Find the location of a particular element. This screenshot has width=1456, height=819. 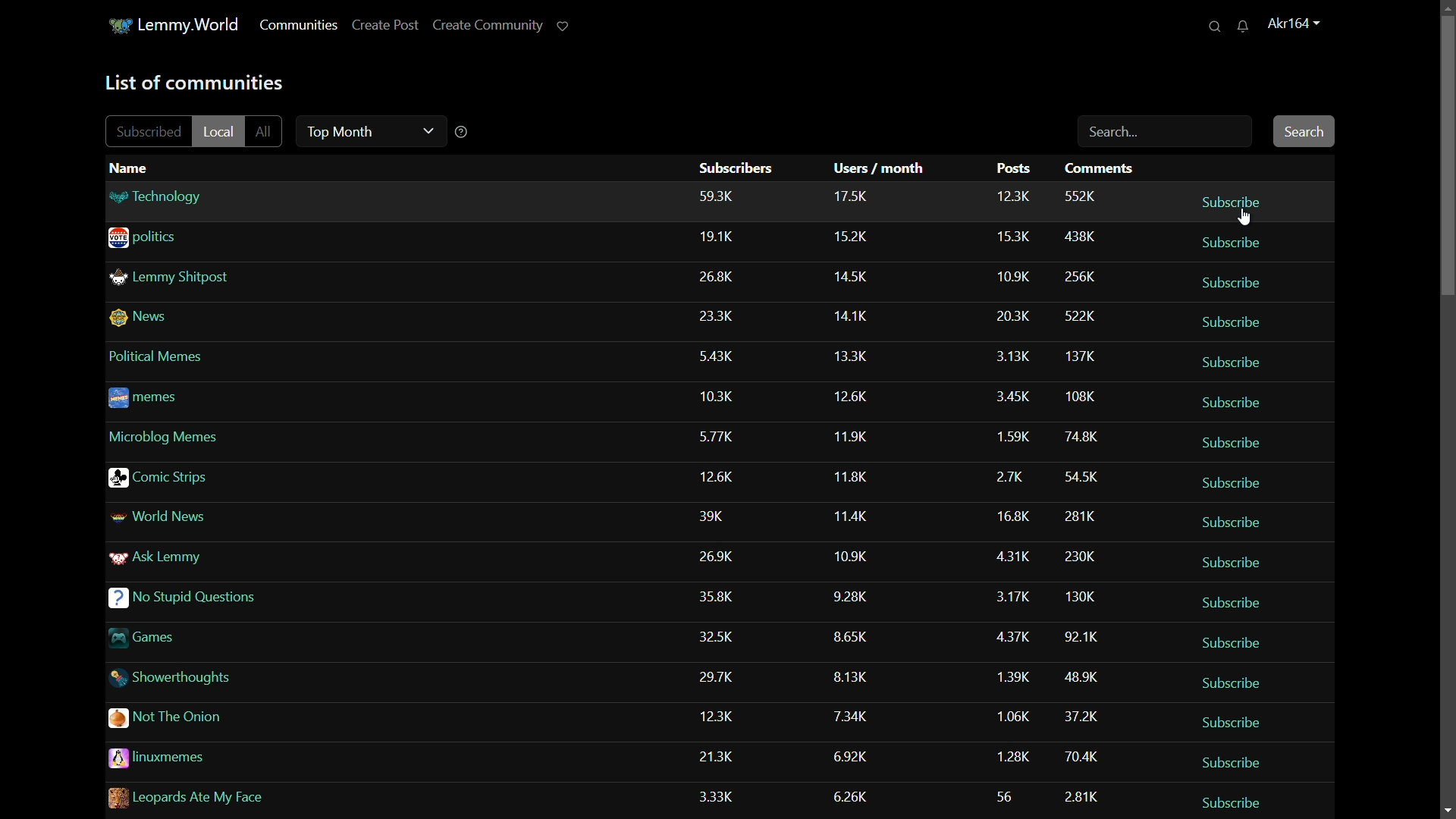

comments is located at coordinates (1078, 276).